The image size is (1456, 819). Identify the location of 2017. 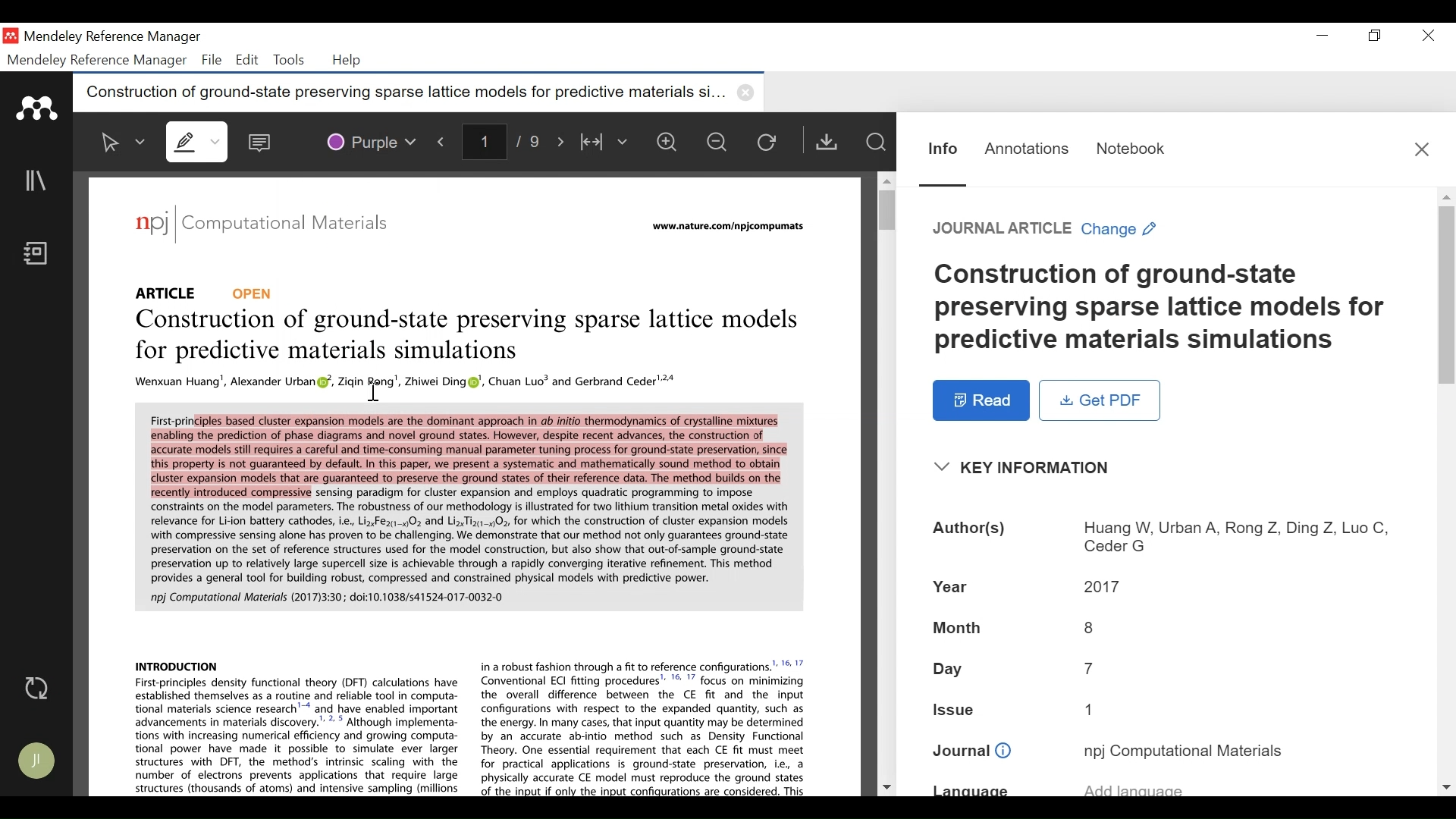
(1097, 585).